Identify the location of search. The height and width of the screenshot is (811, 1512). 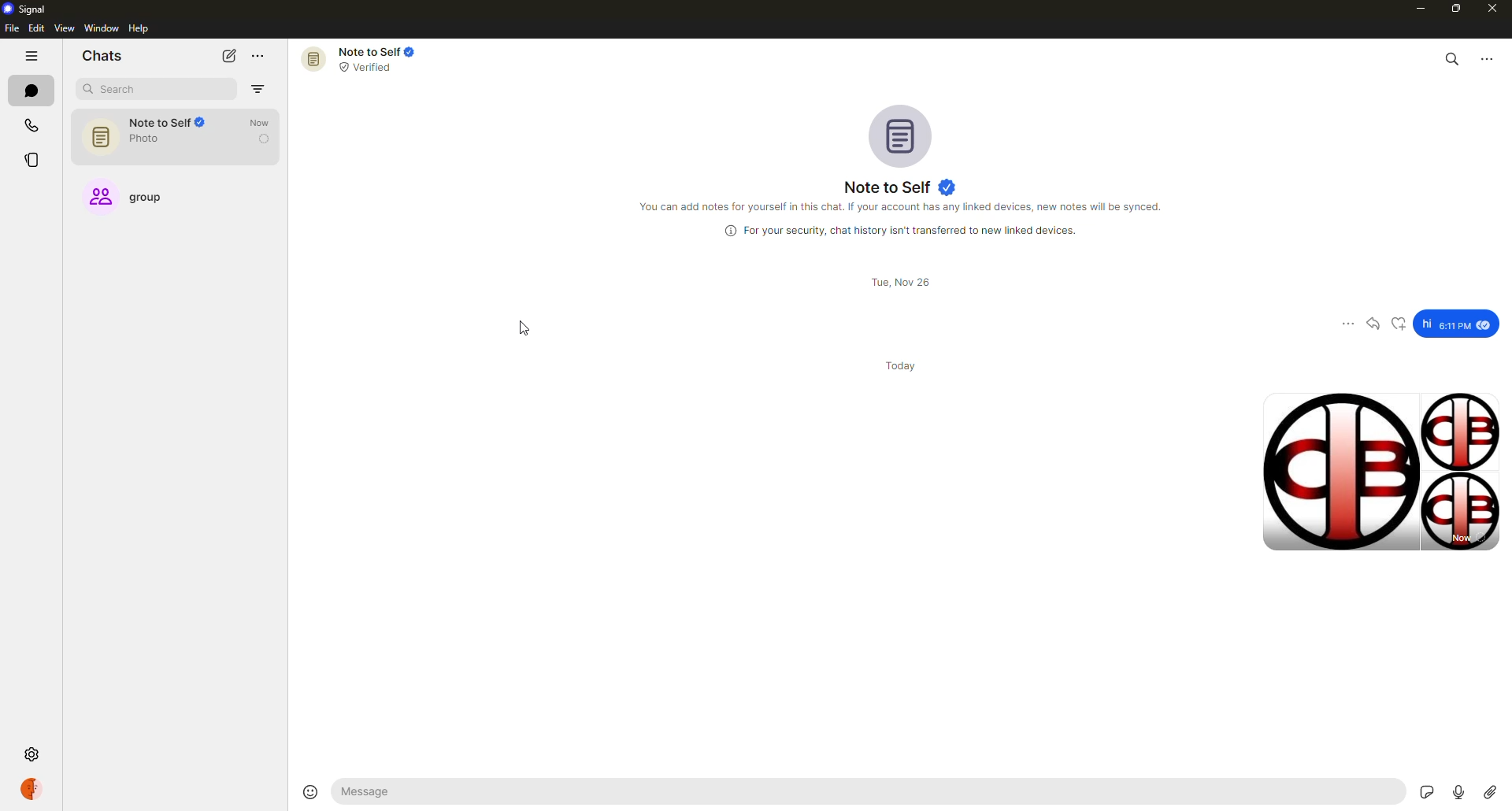
(1451, 57).